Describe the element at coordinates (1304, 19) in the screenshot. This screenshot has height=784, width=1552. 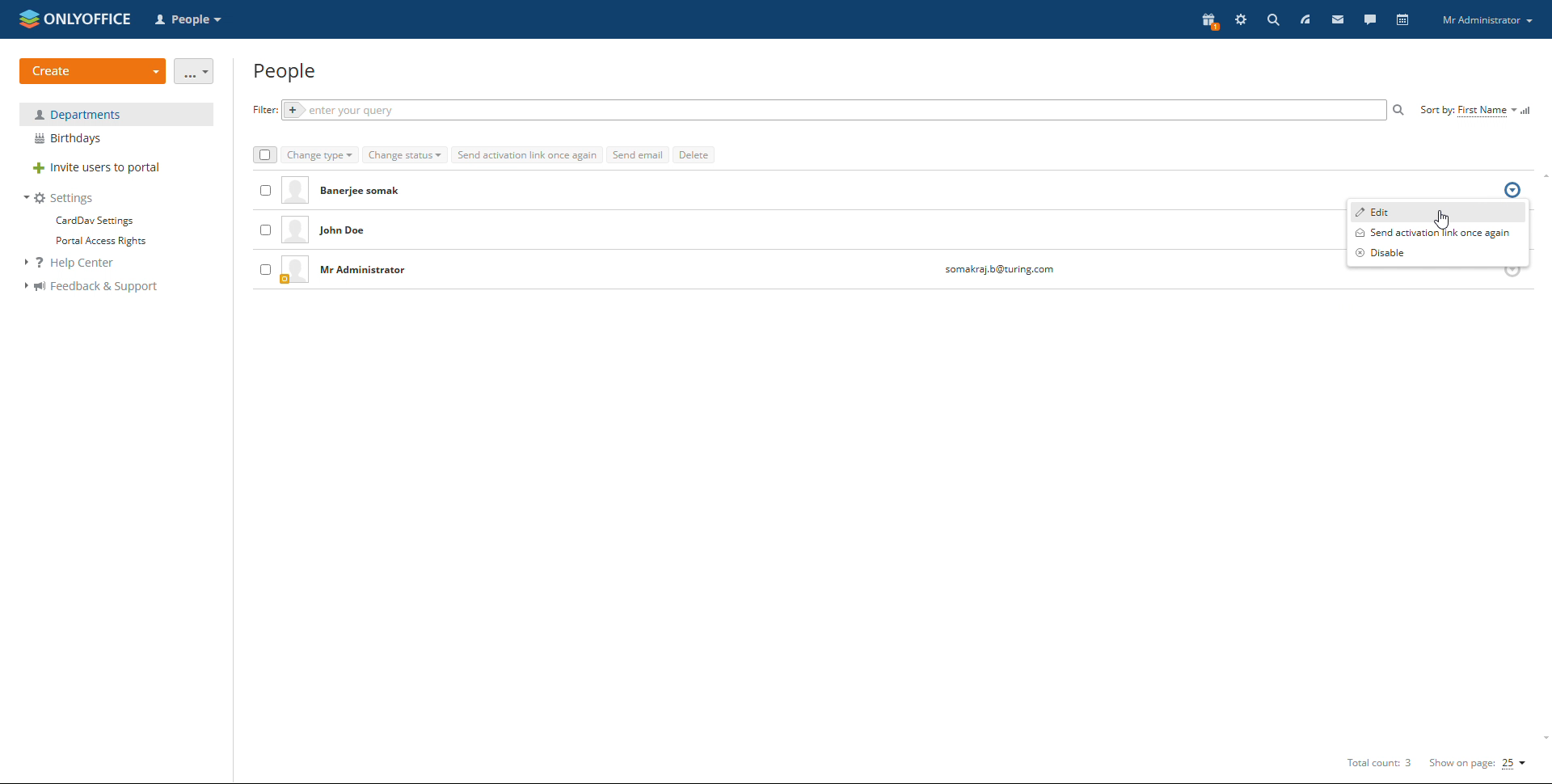
I see `feed` at that location.